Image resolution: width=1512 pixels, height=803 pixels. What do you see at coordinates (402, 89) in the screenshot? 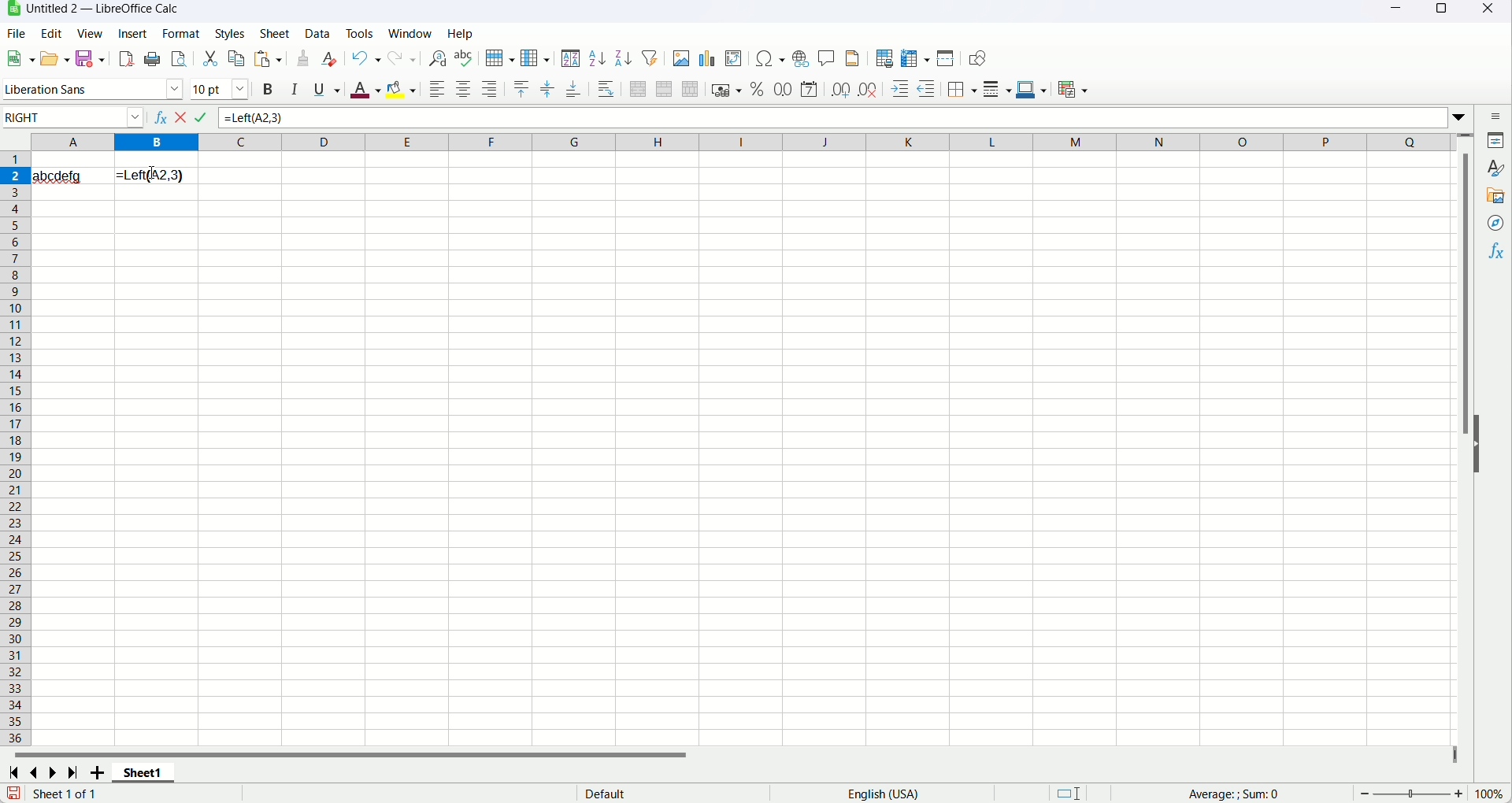
I see `background color` at bounding box center [402, 89].